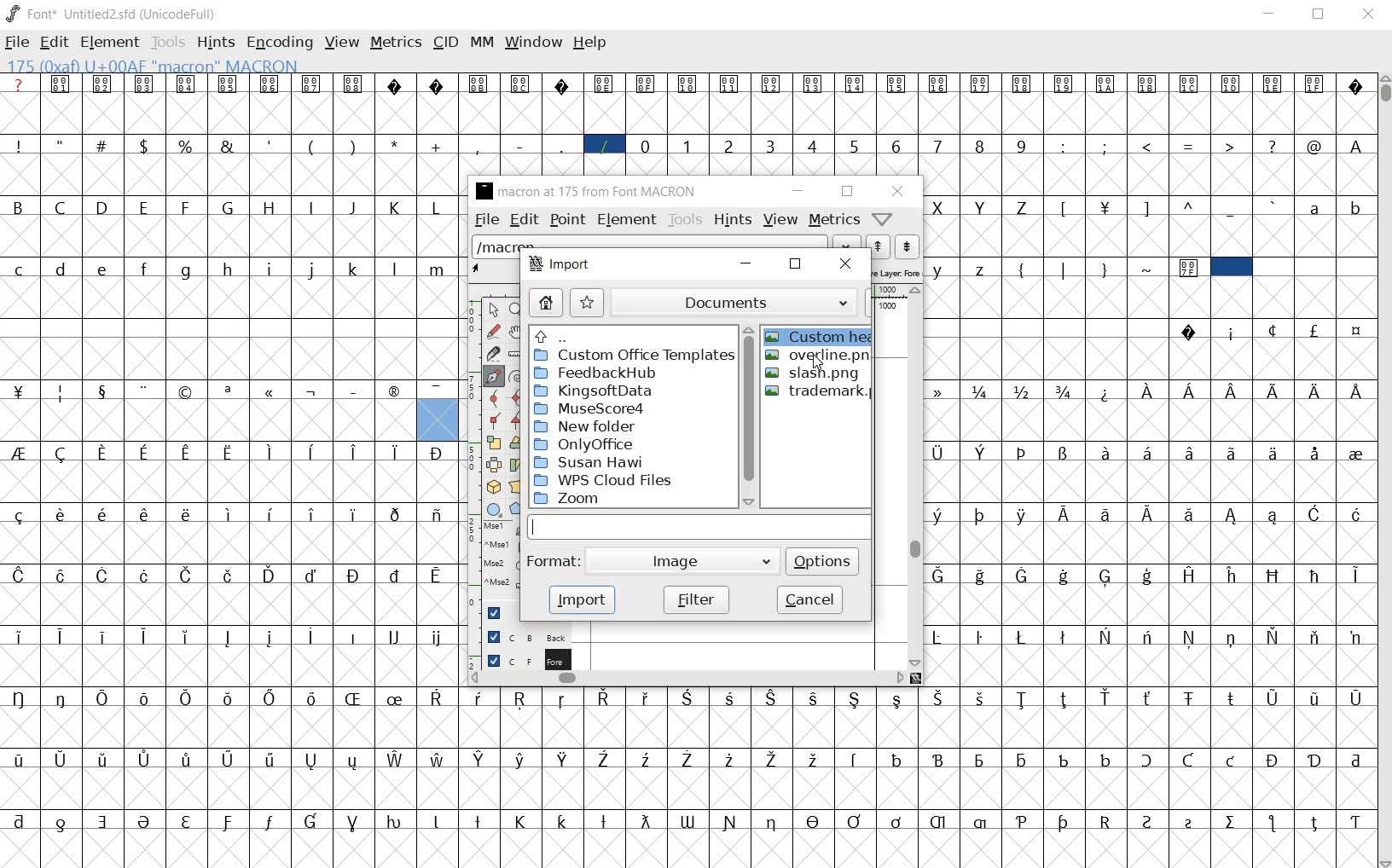  I want to click on >, so click(1232, 145).